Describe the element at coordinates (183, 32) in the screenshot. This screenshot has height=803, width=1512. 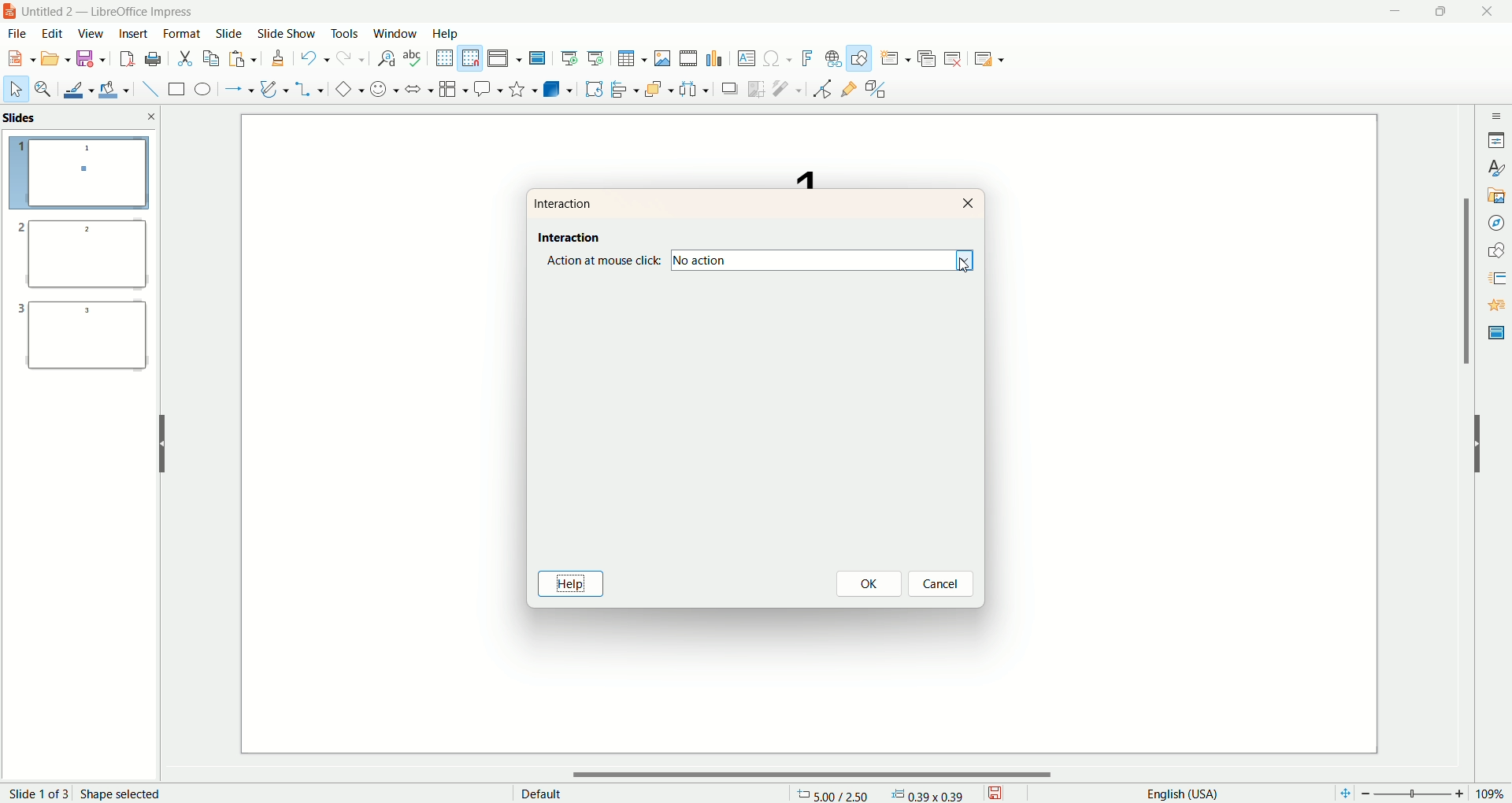
I see `format` at that location.